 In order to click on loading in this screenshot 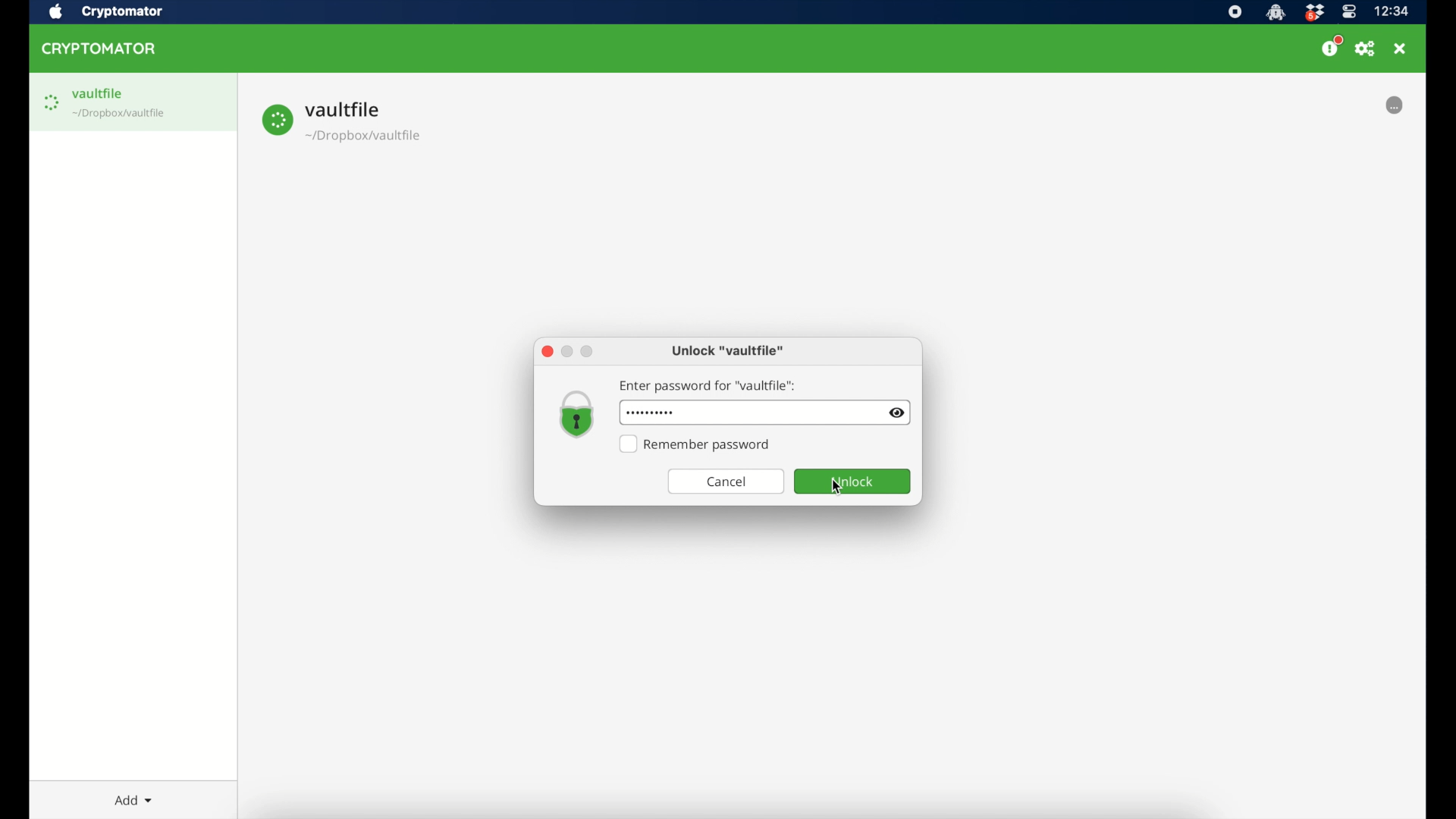, I will do `click(1394, 105)`.